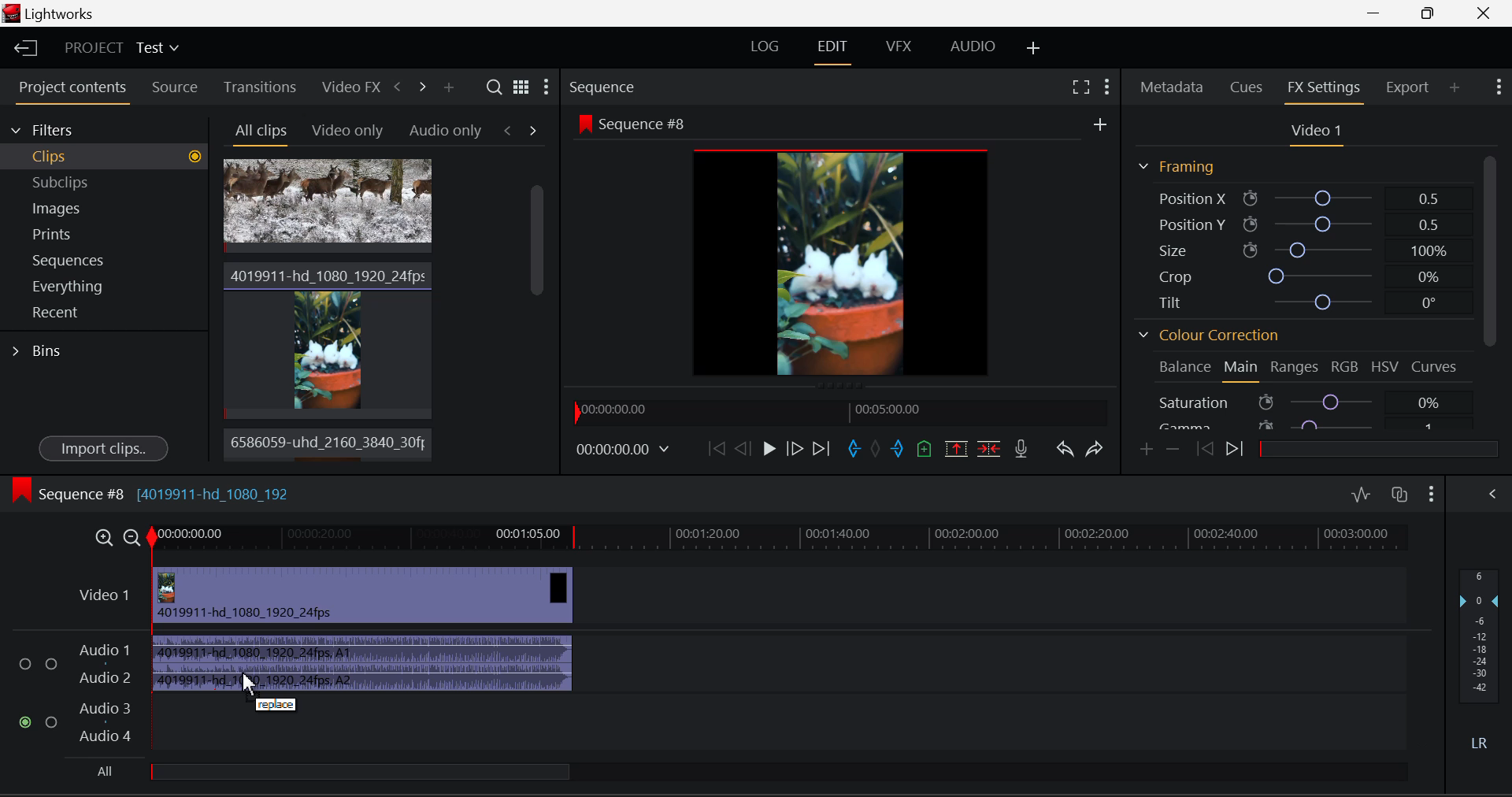 Image resolution: width=1512 pixels, height=797 pixels. What do you see at coordinates (1306, 301) in the screenshot?
I see `Tilt` at bounding box center [1306, 301].